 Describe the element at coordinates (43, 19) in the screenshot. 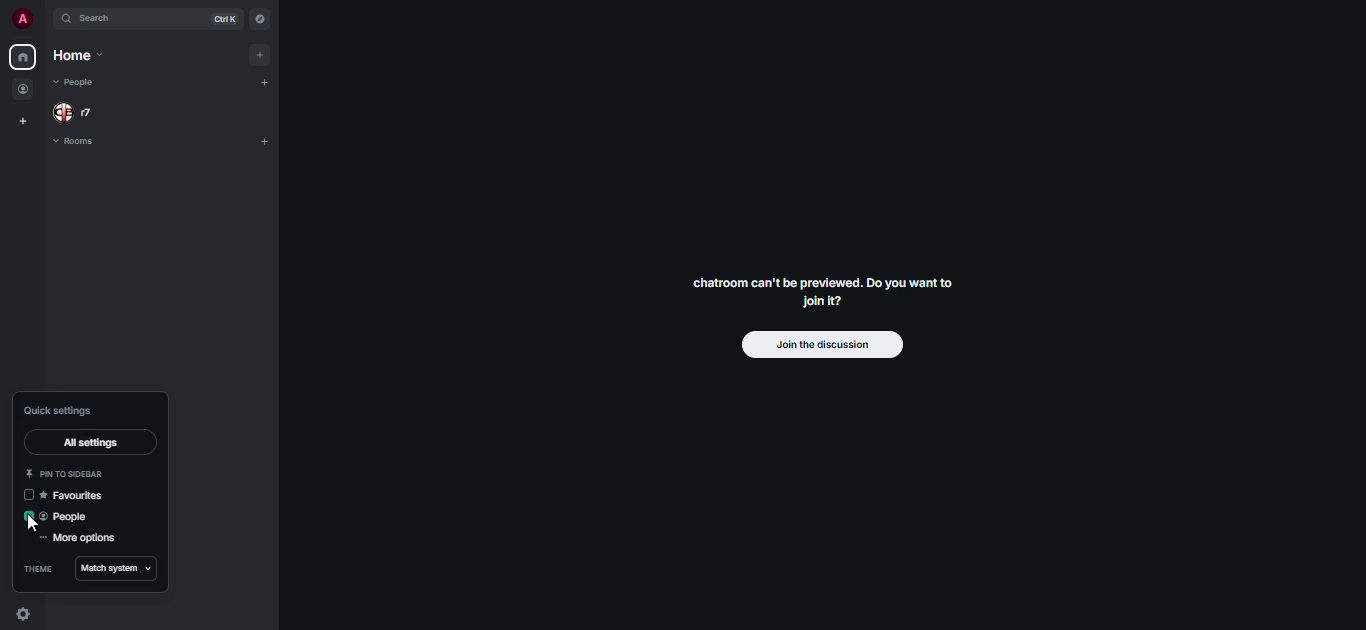

I see `expand` at that location.